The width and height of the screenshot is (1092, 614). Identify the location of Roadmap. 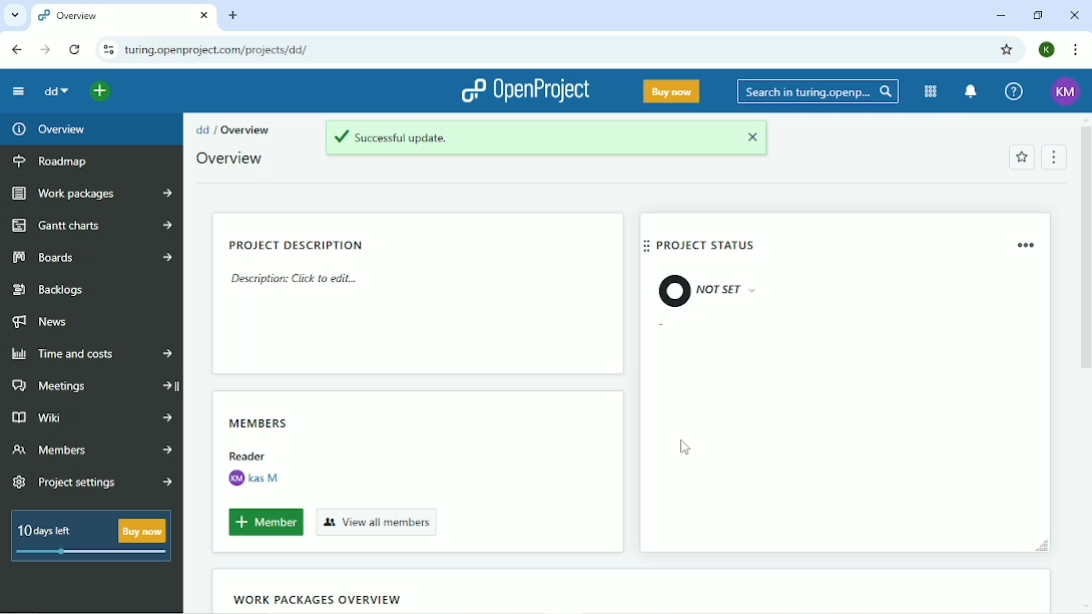
(53, 163).